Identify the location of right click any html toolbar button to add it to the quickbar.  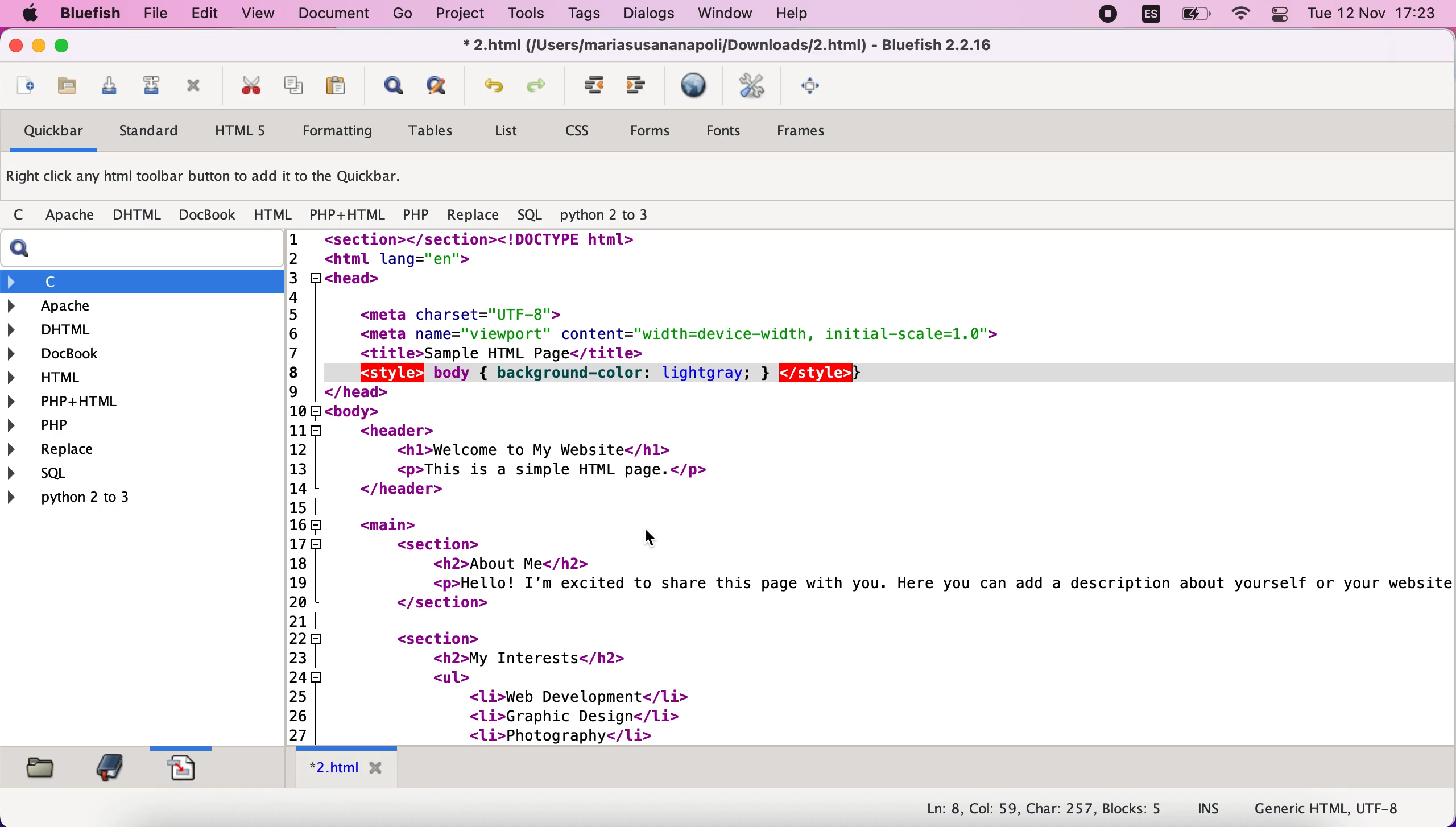
(210, 177).